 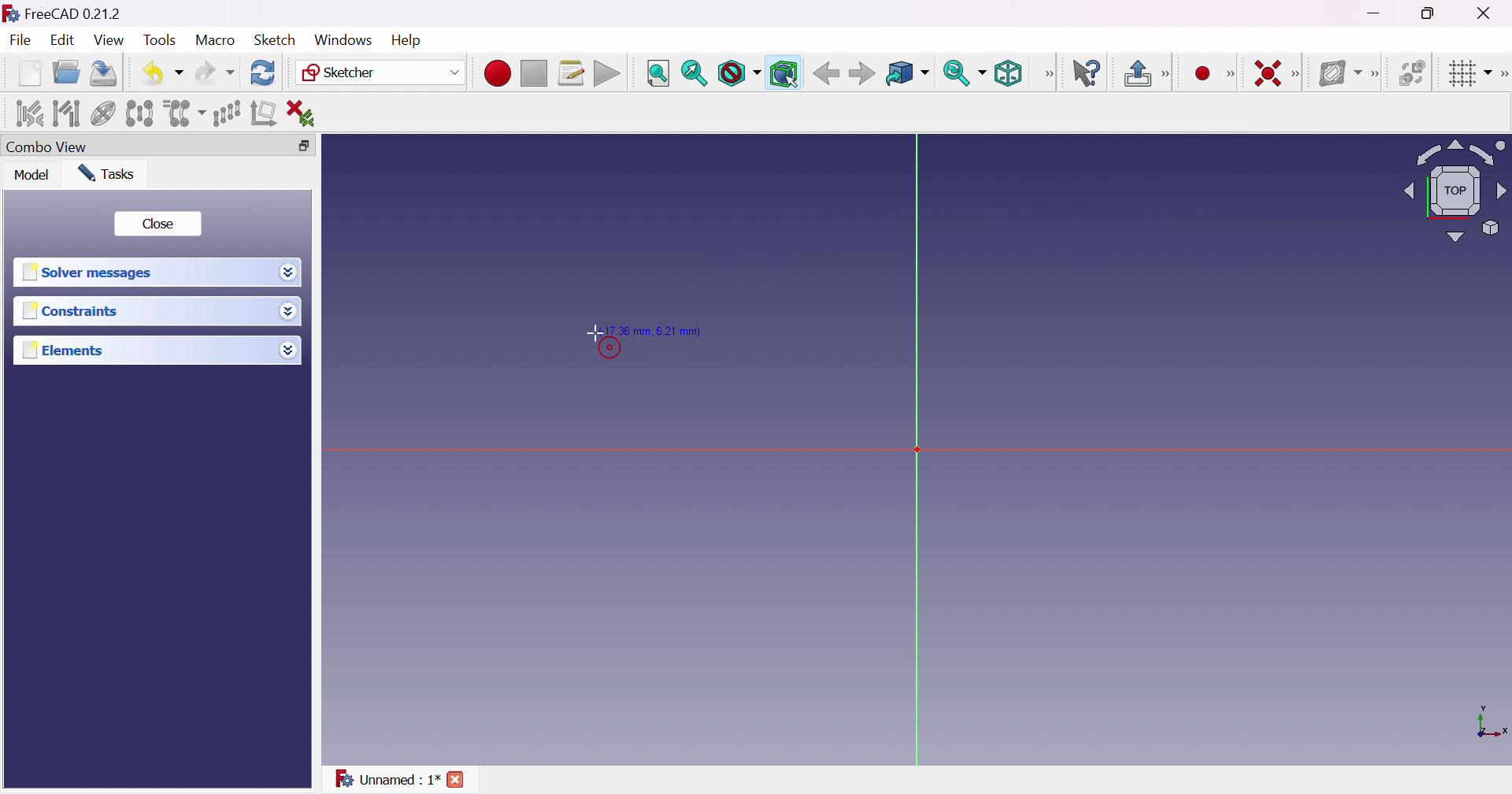 I want to click on Windows, so click(x=343, y=39).